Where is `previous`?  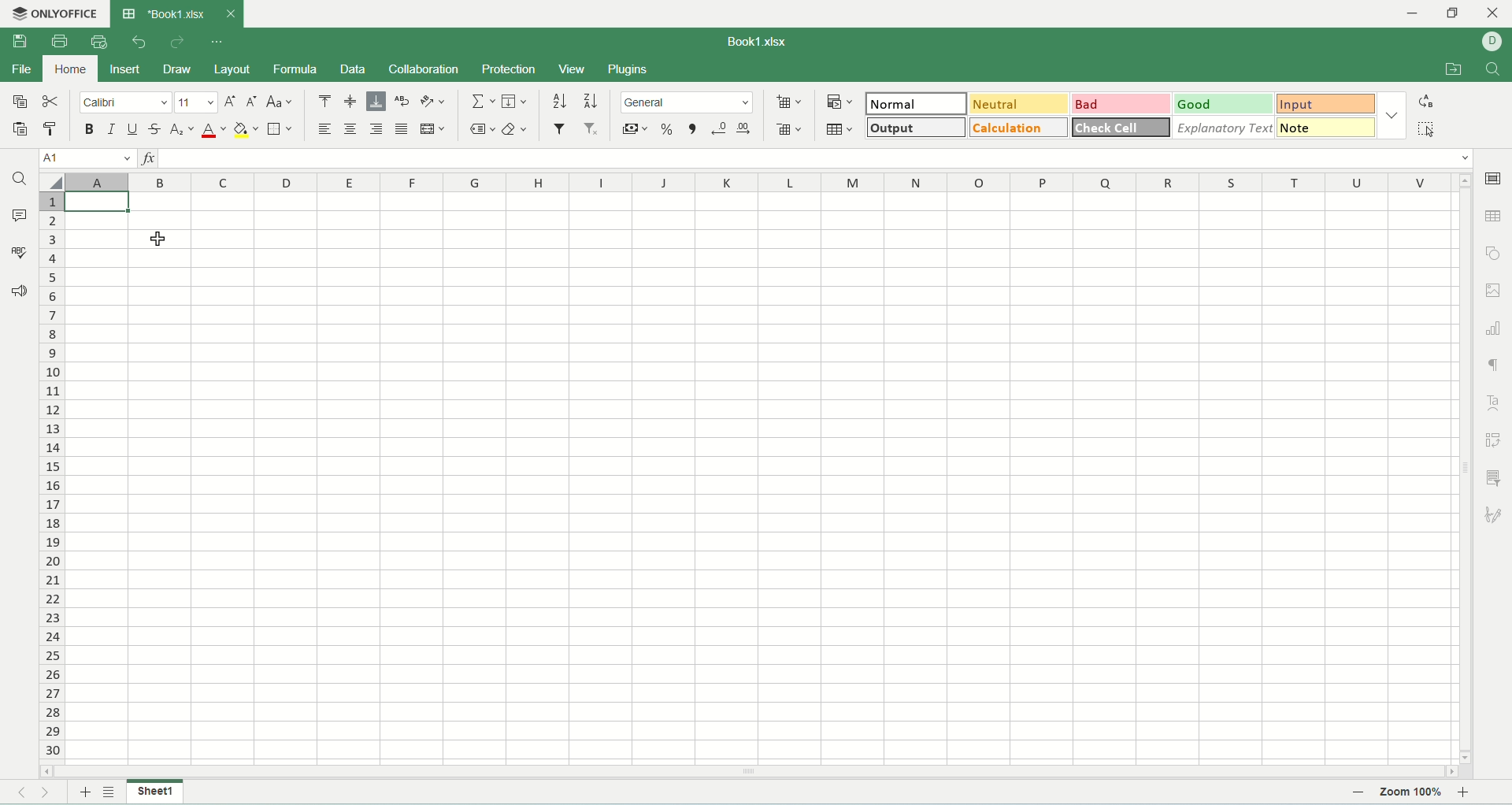
previous is located at coordinates (20, 793).